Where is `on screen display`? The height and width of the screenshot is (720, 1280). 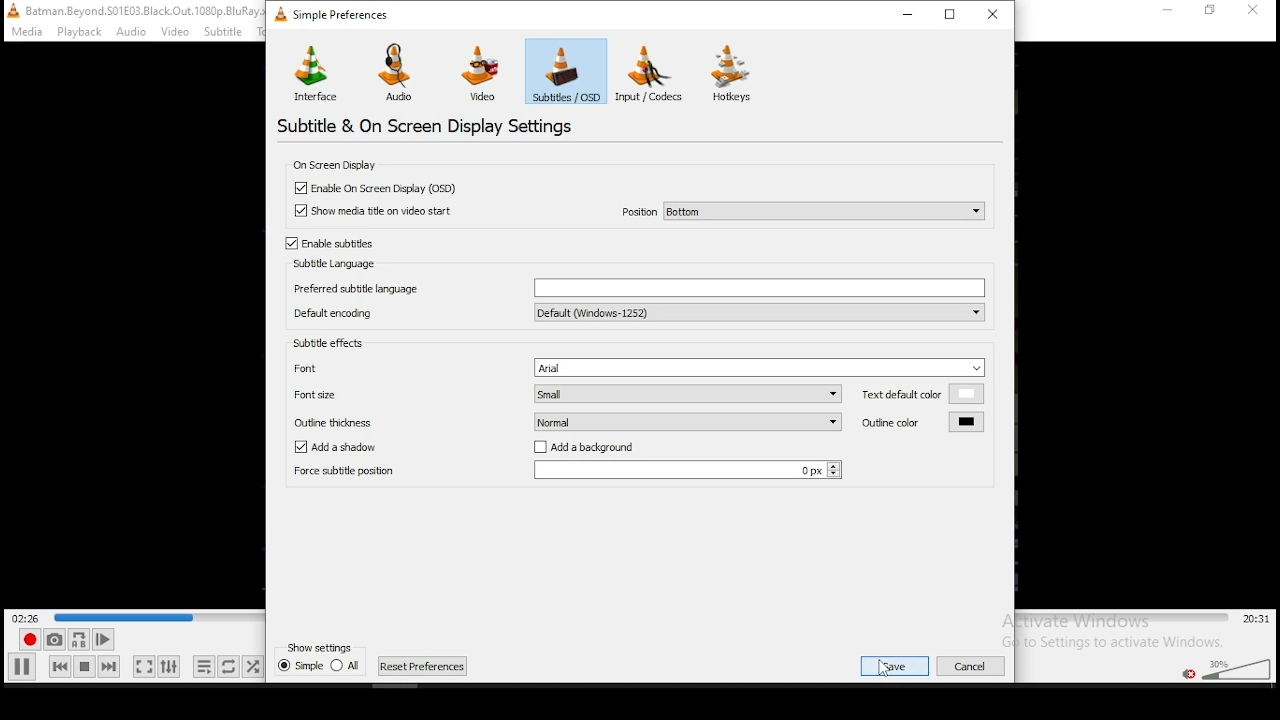 on screen display is located at coordinates (338, 165).